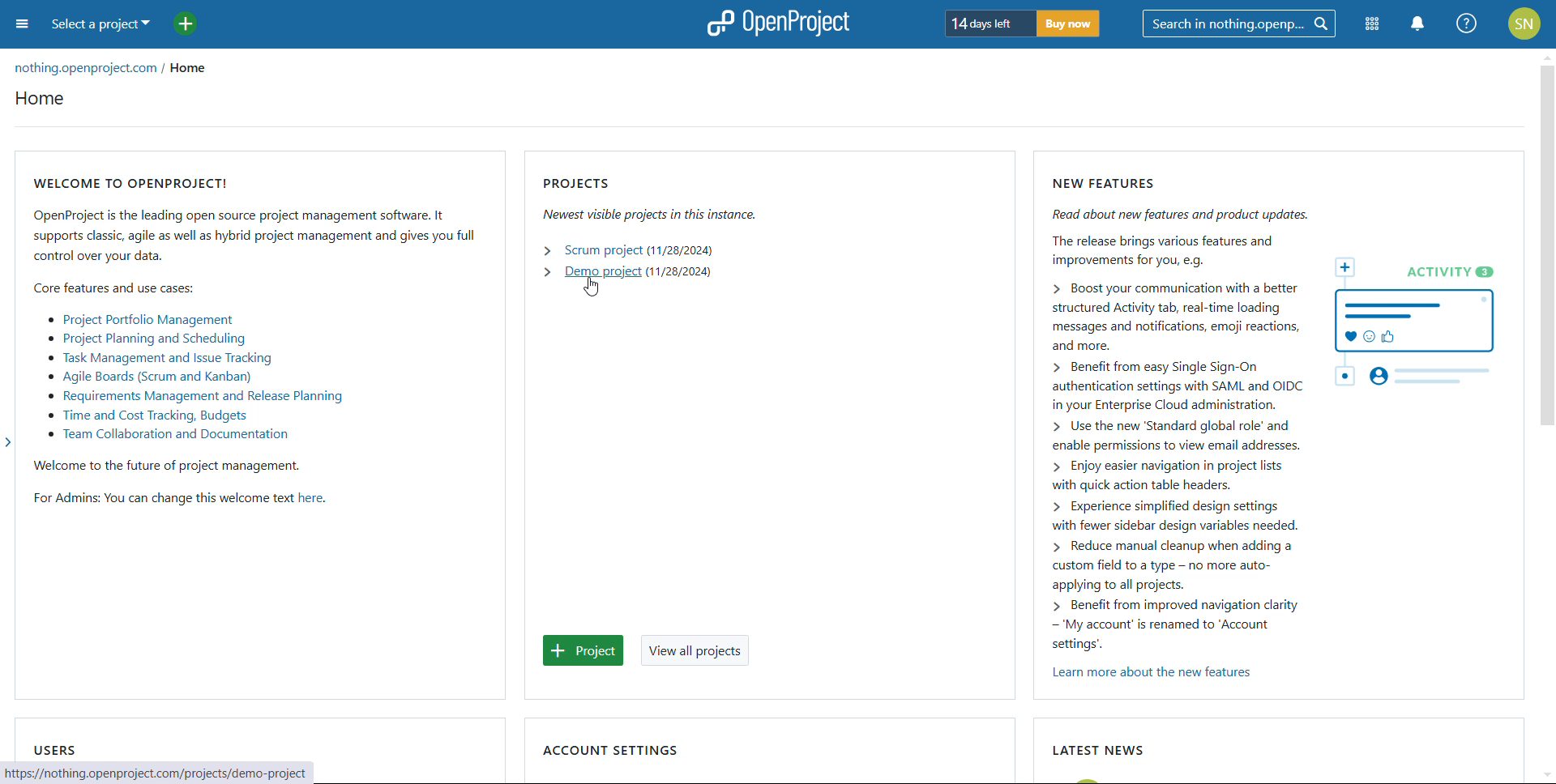  I want to click on notification center, so click(1416, 24).